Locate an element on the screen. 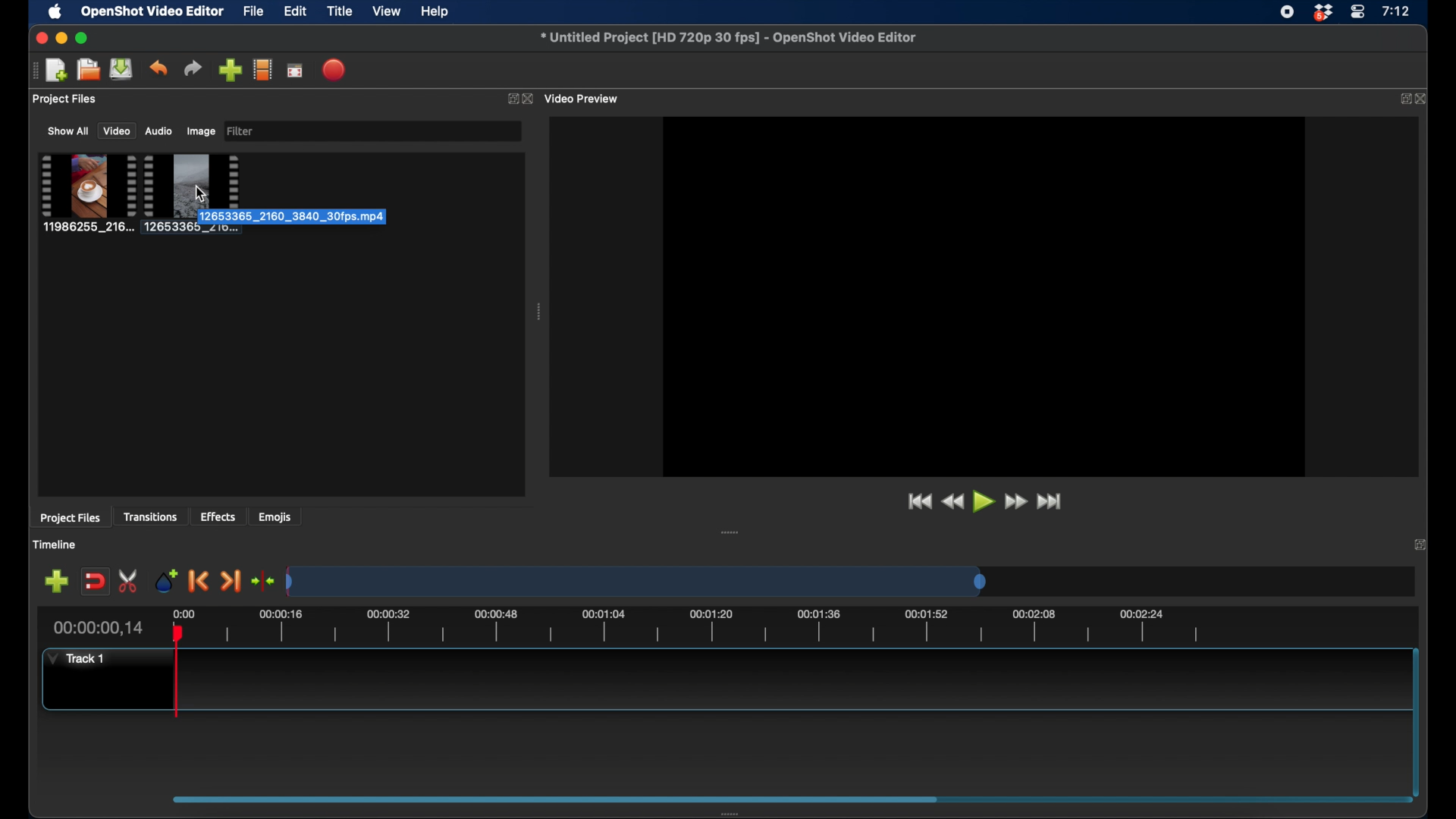 Image resolution: width=1456 pixels, height=819 pixels. timeline scale is located at coordinates (637, 581).